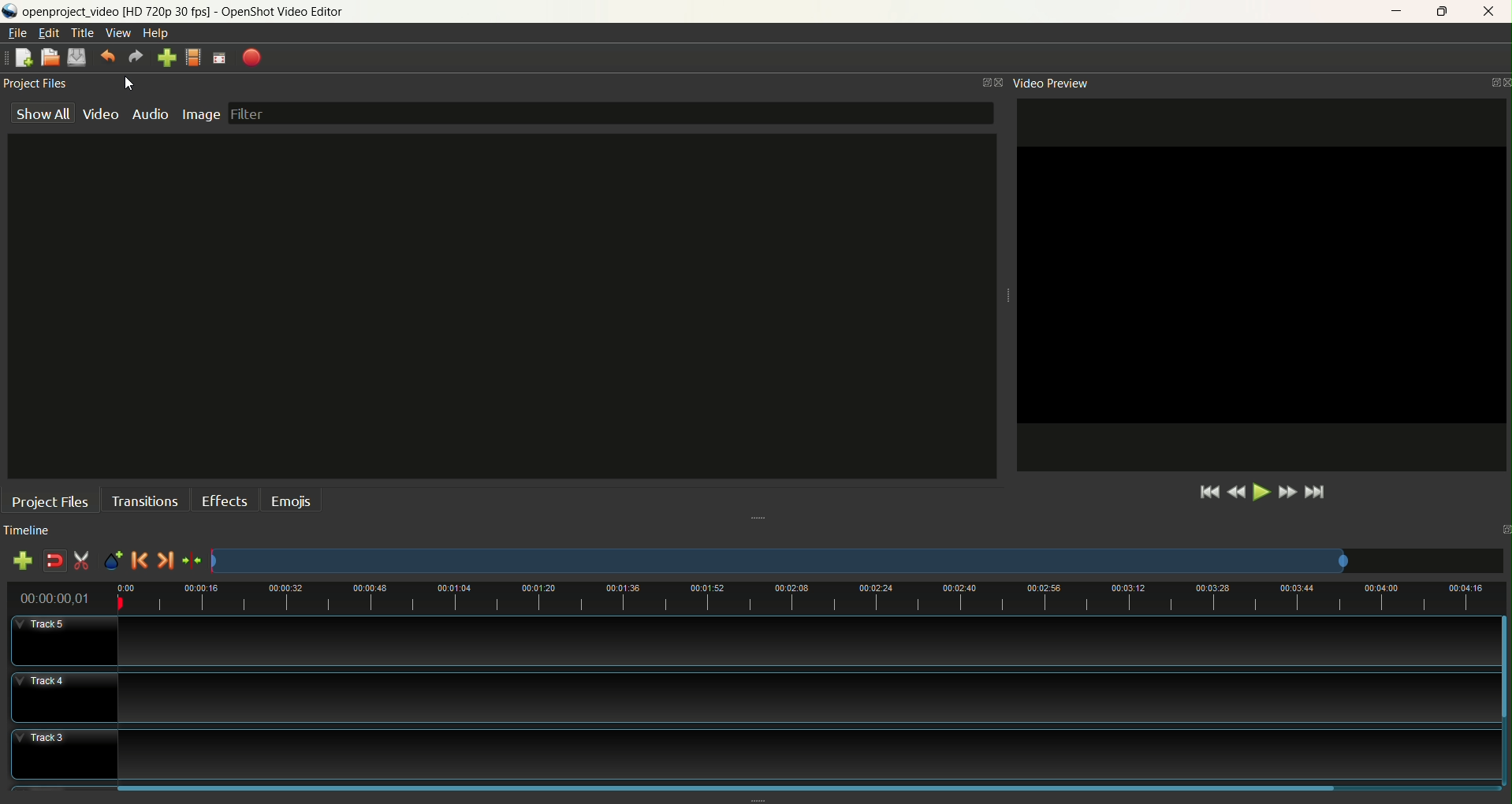  Describe the element at coordinates (153, 114) in the screenshot. I see `audio` at that location.